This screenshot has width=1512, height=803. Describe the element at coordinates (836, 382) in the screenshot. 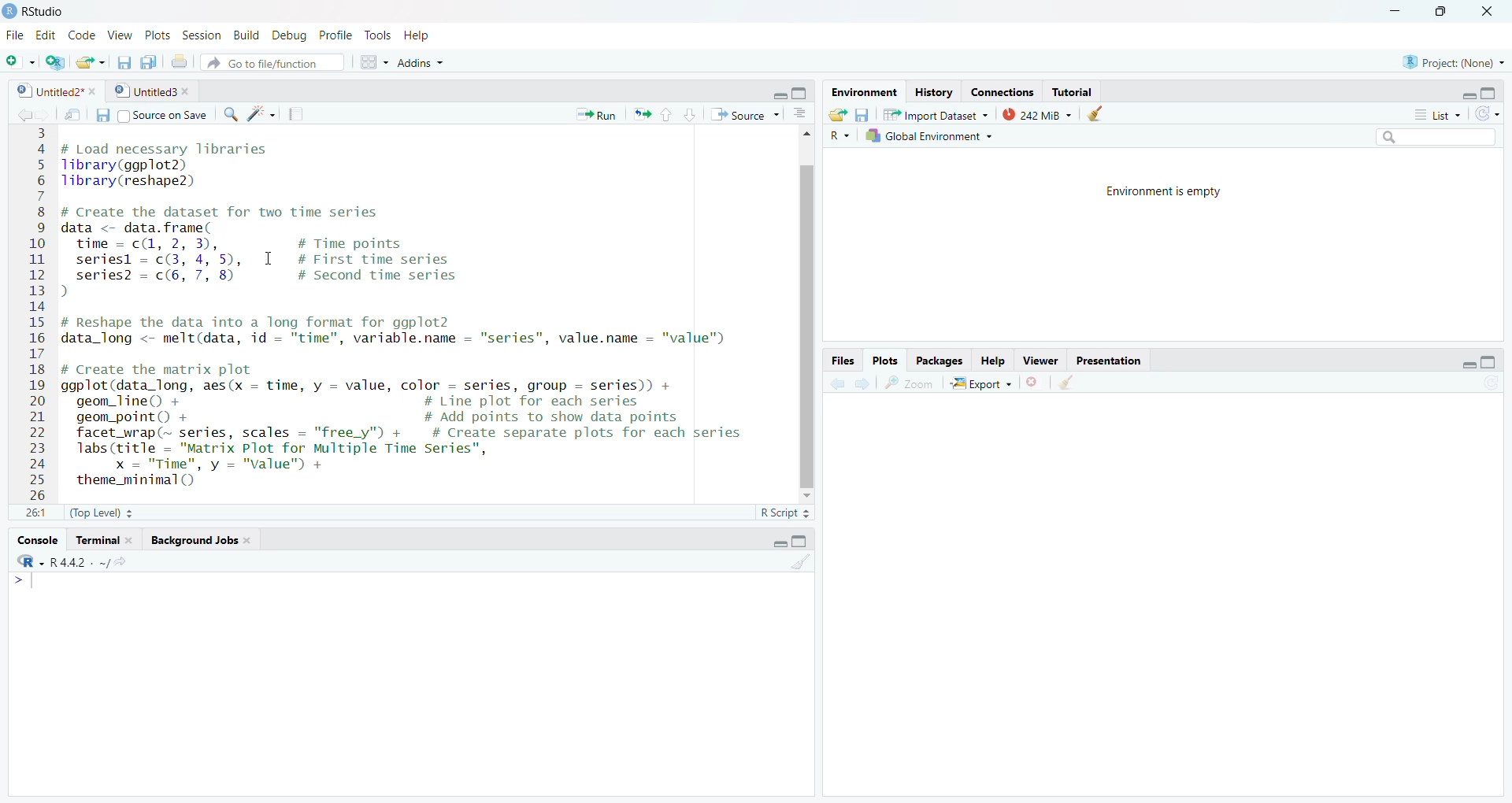

I see `move back` at that location.